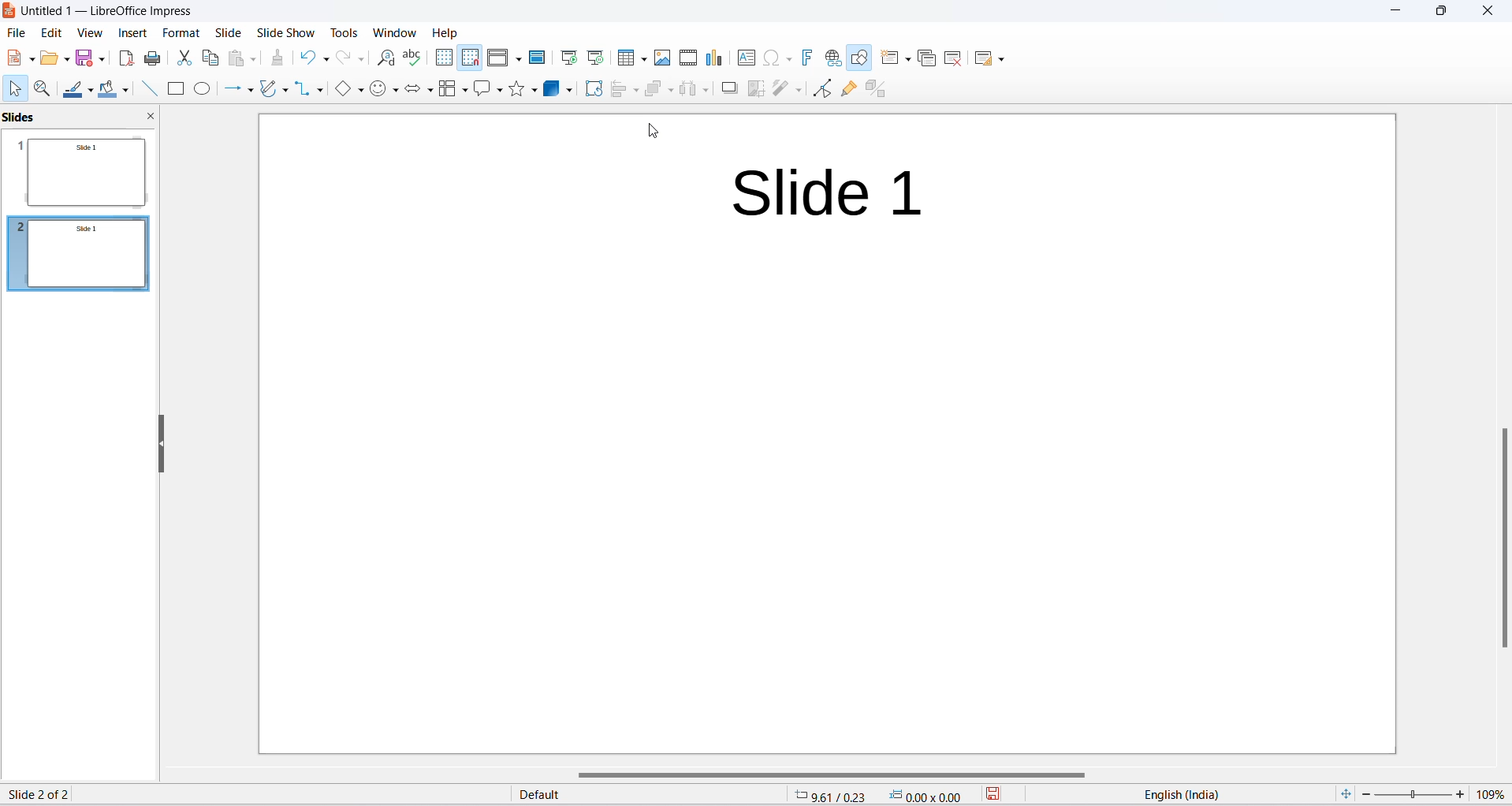 The width and height of the screenshot is (1512, 806). I want to click on display view, so click(505, 58).